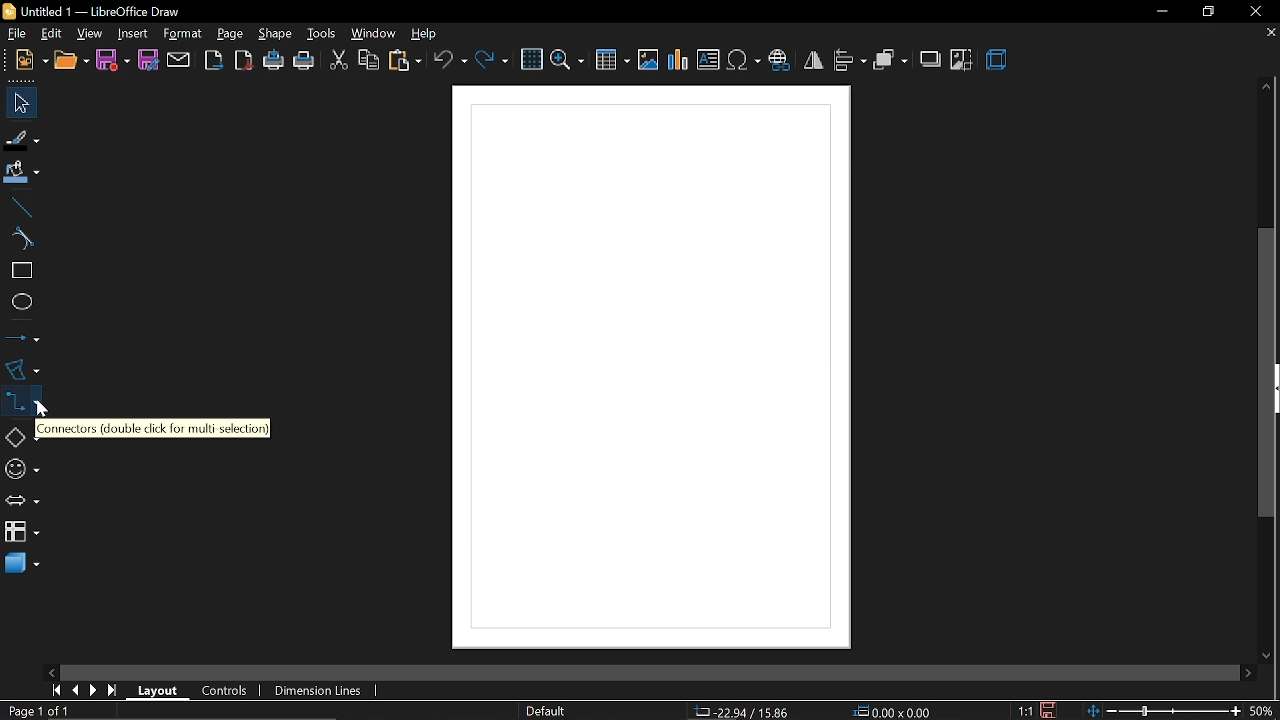  Describe the element at coordinates (567, 60) in the screenshot. I see `zoom` at that location.